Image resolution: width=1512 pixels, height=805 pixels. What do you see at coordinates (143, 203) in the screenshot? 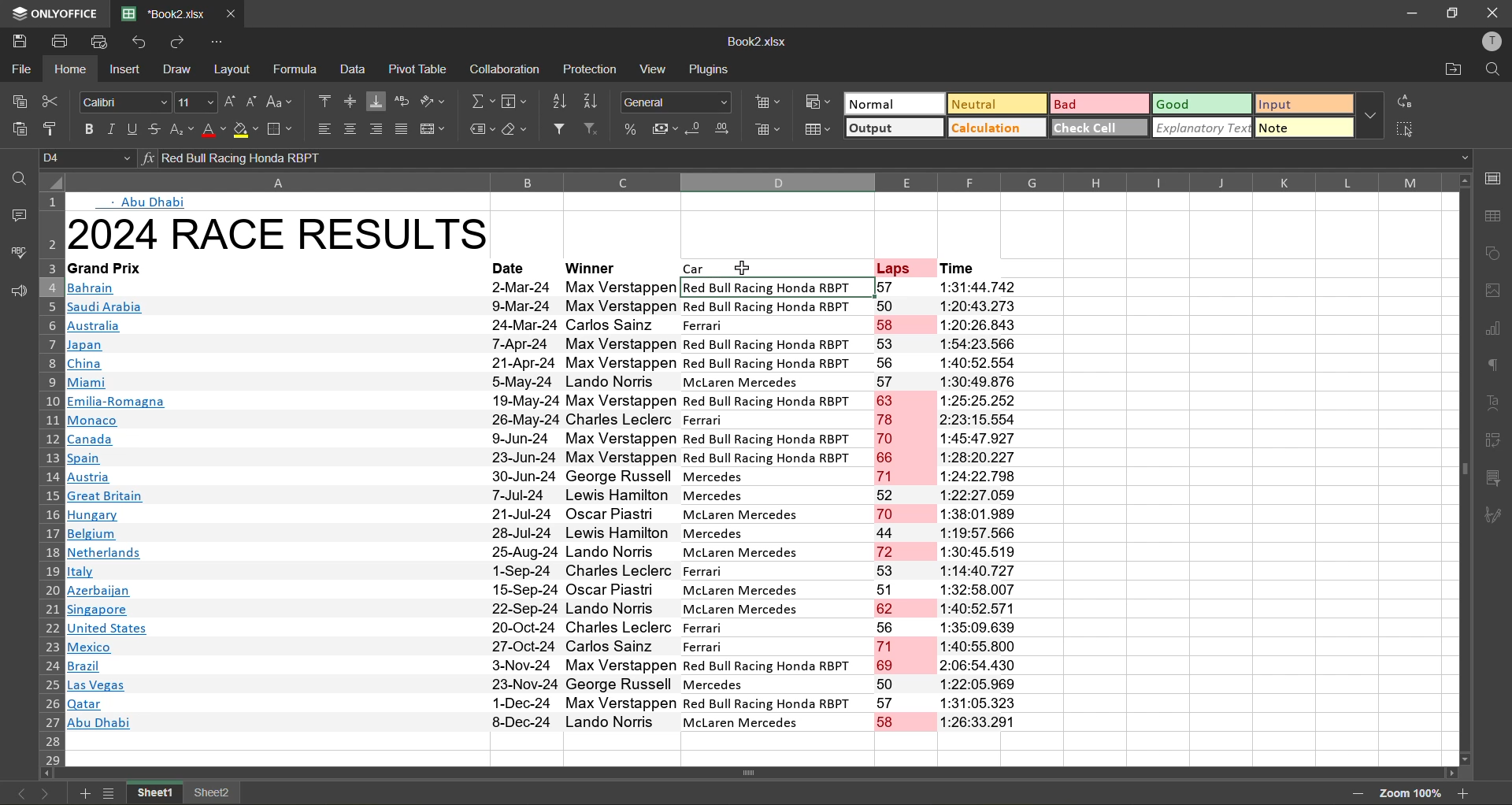
I see `Abu dhabi` at bounding box center [143, 203].